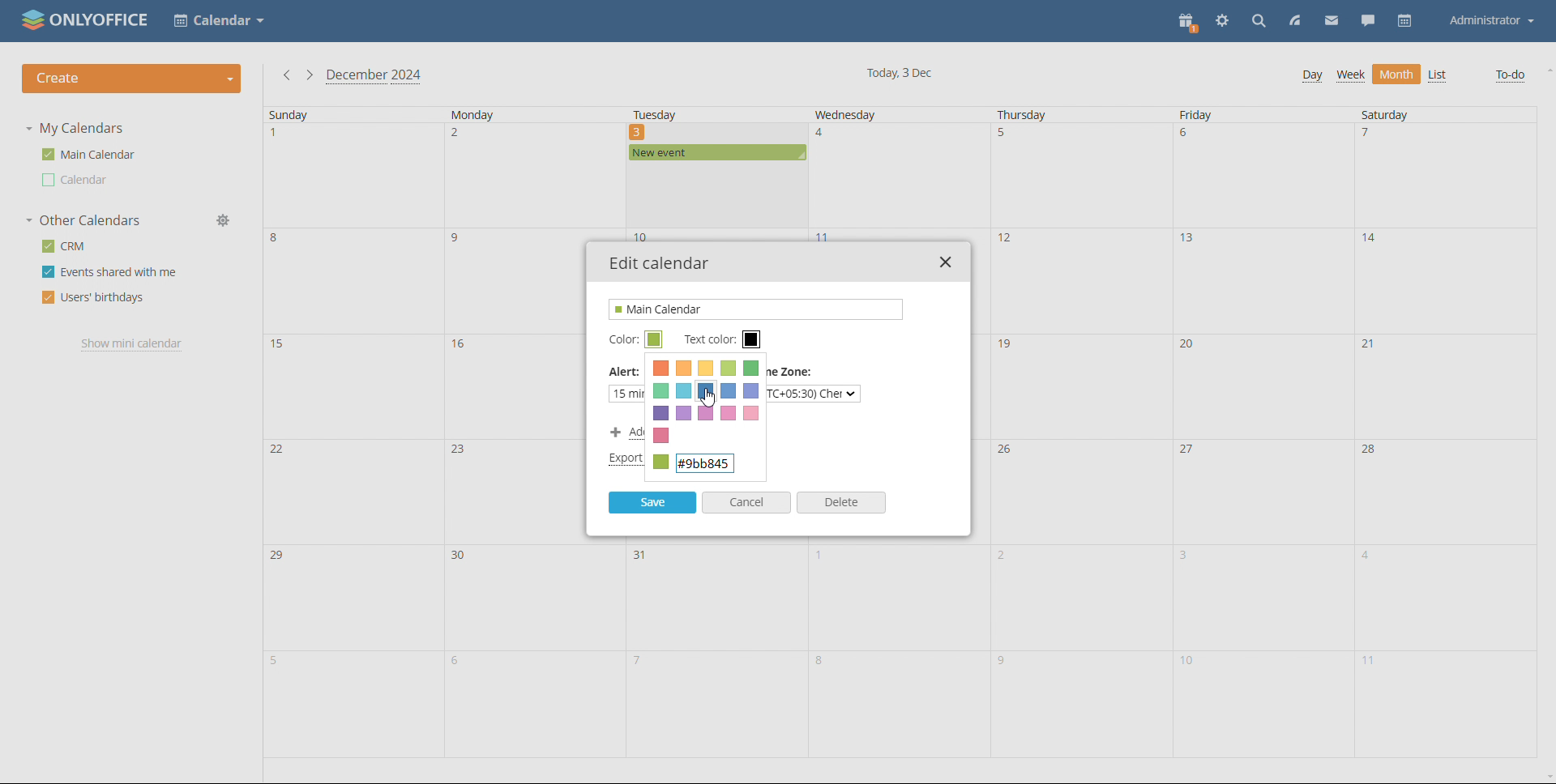 This screenshot has height=784, width=1556. What do you see at coordinates (83, 221) in the screenshot?
I see `other calendars` at bounding box center [83, 221].